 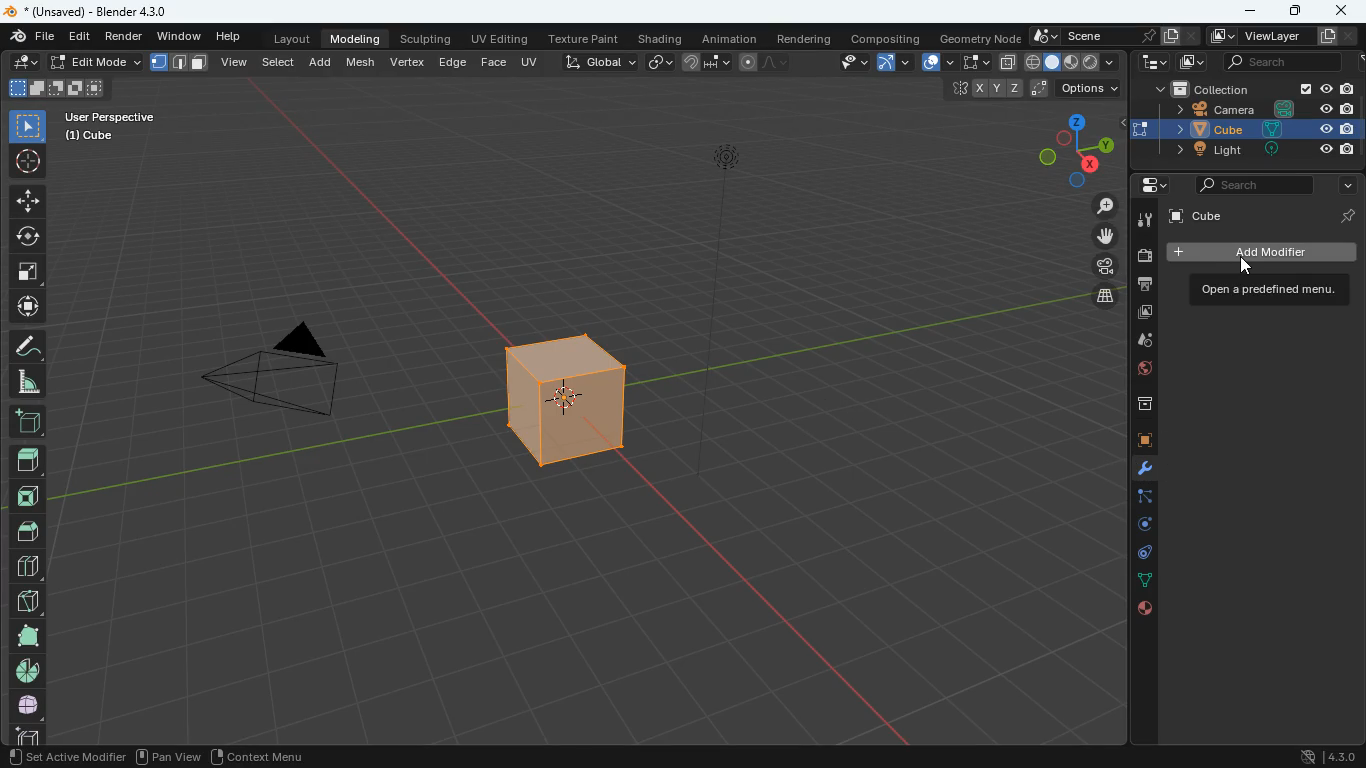 What do you see at coordinates (1277, 36) in the screenshot?
I see `viewlayer` at bounding box center [1277, 36].